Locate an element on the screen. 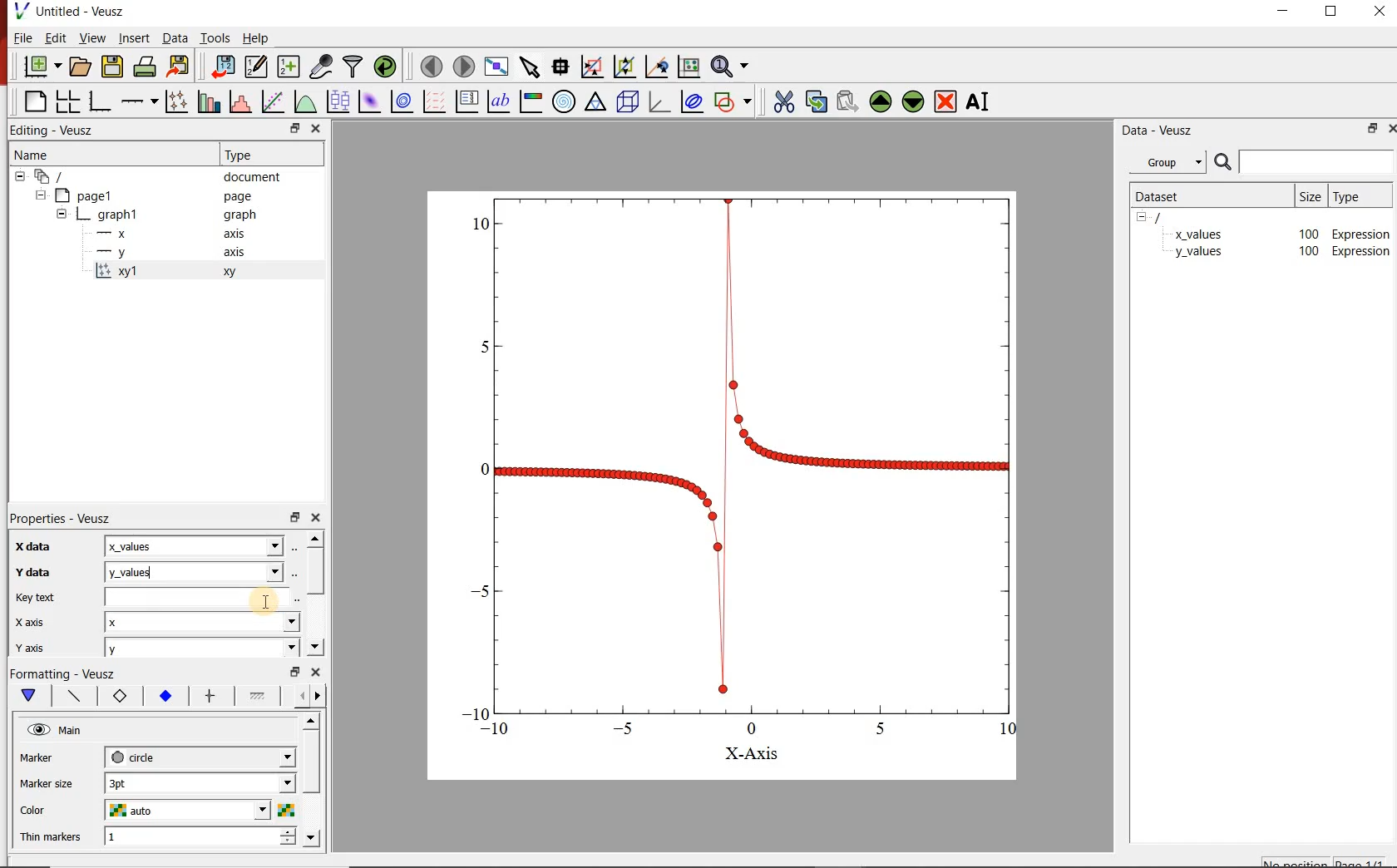 This screenshot has height=868, width=1397. plot bar charts is located at coordinates (209, 101).